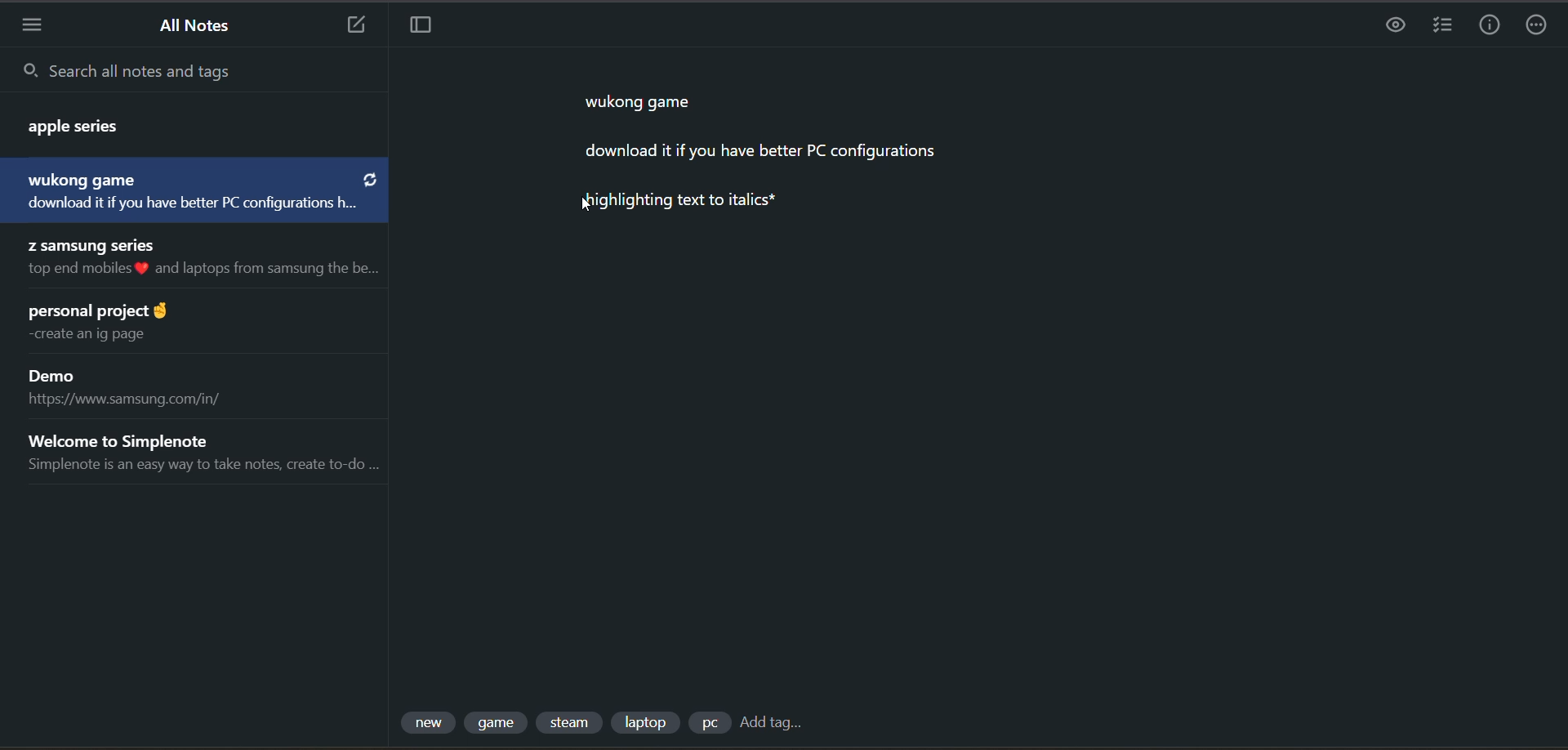  What do you see at coordinates (143, 389) in the screenshot?
I see `note title and preview` at bounding box center [143, 389].